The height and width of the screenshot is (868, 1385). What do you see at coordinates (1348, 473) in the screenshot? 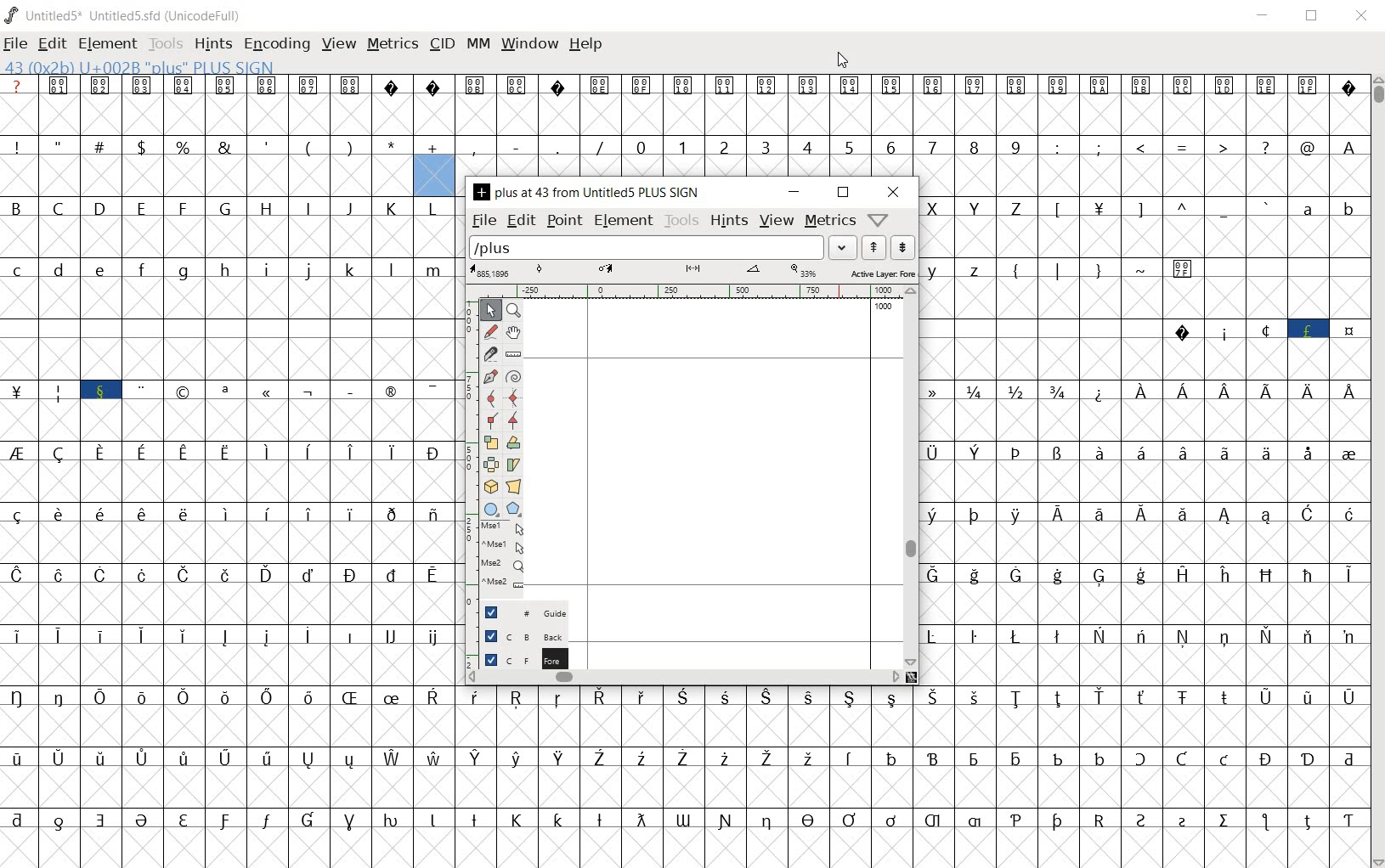
I see `special characters` at bounding box center [1348, 473].